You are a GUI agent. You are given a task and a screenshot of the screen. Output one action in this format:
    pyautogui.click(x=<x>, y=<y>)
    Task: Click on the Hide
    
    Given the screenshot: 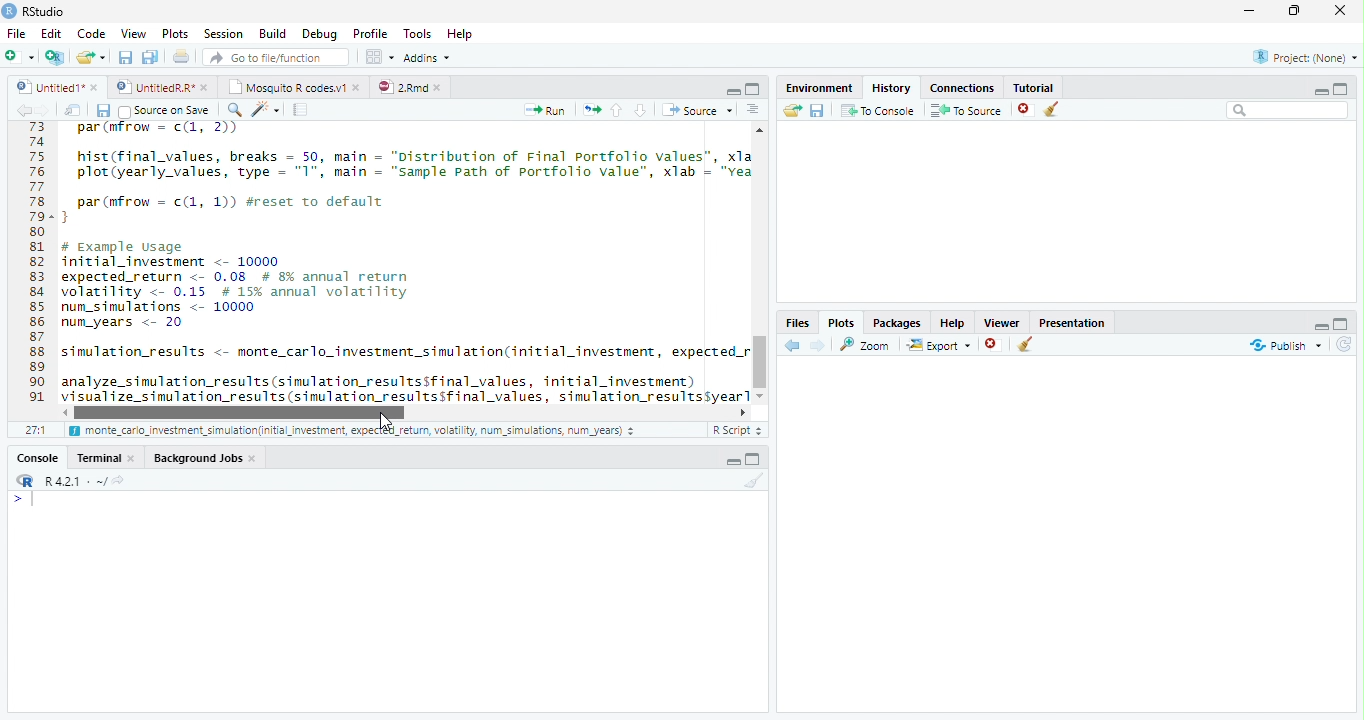 What is the action you would take?
    pyautogui.click(x=732, y=461)
    